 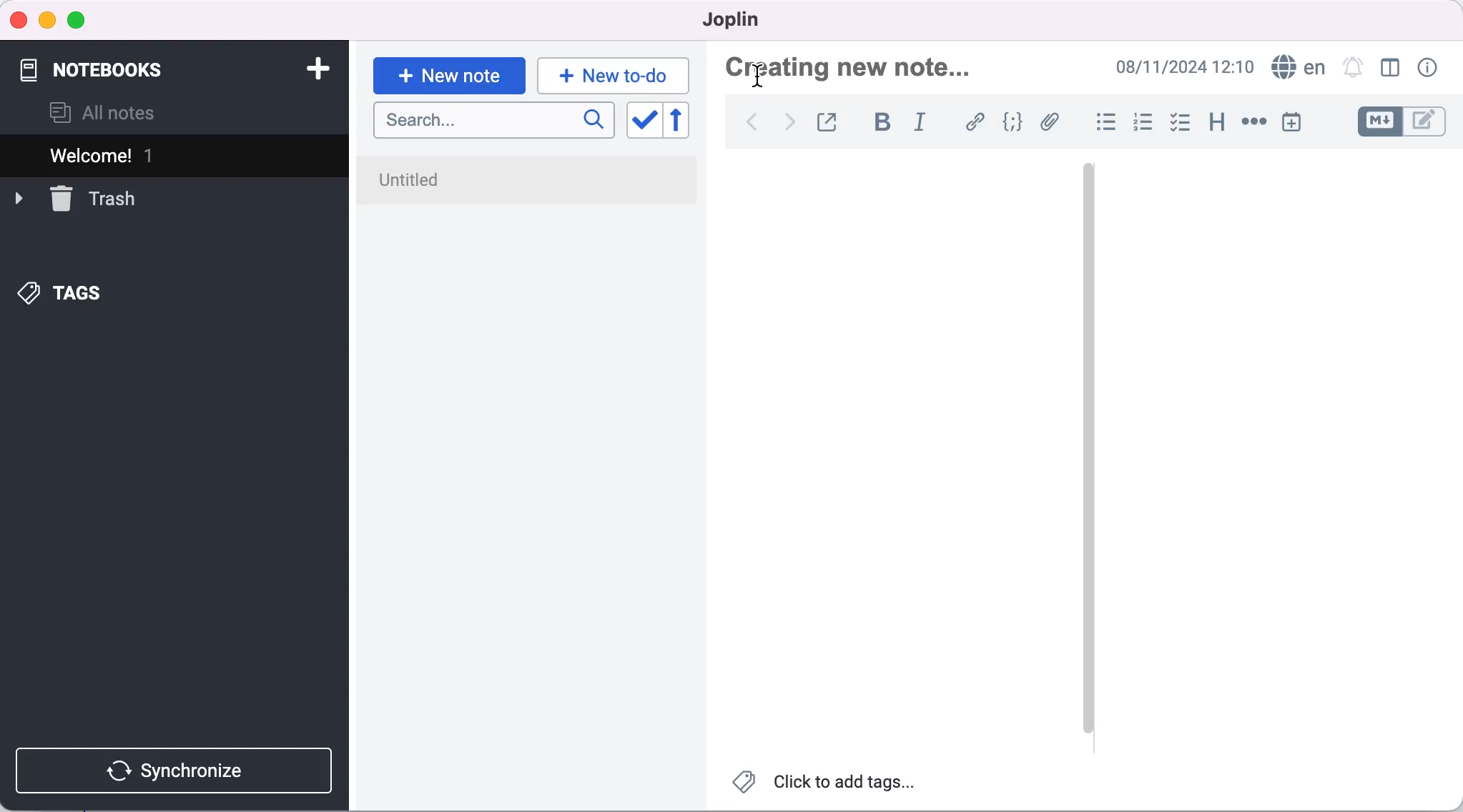 What do you see at coordinates (1296, 69) in the screenshot?
I see `language` at bounding box center [1296, 69].